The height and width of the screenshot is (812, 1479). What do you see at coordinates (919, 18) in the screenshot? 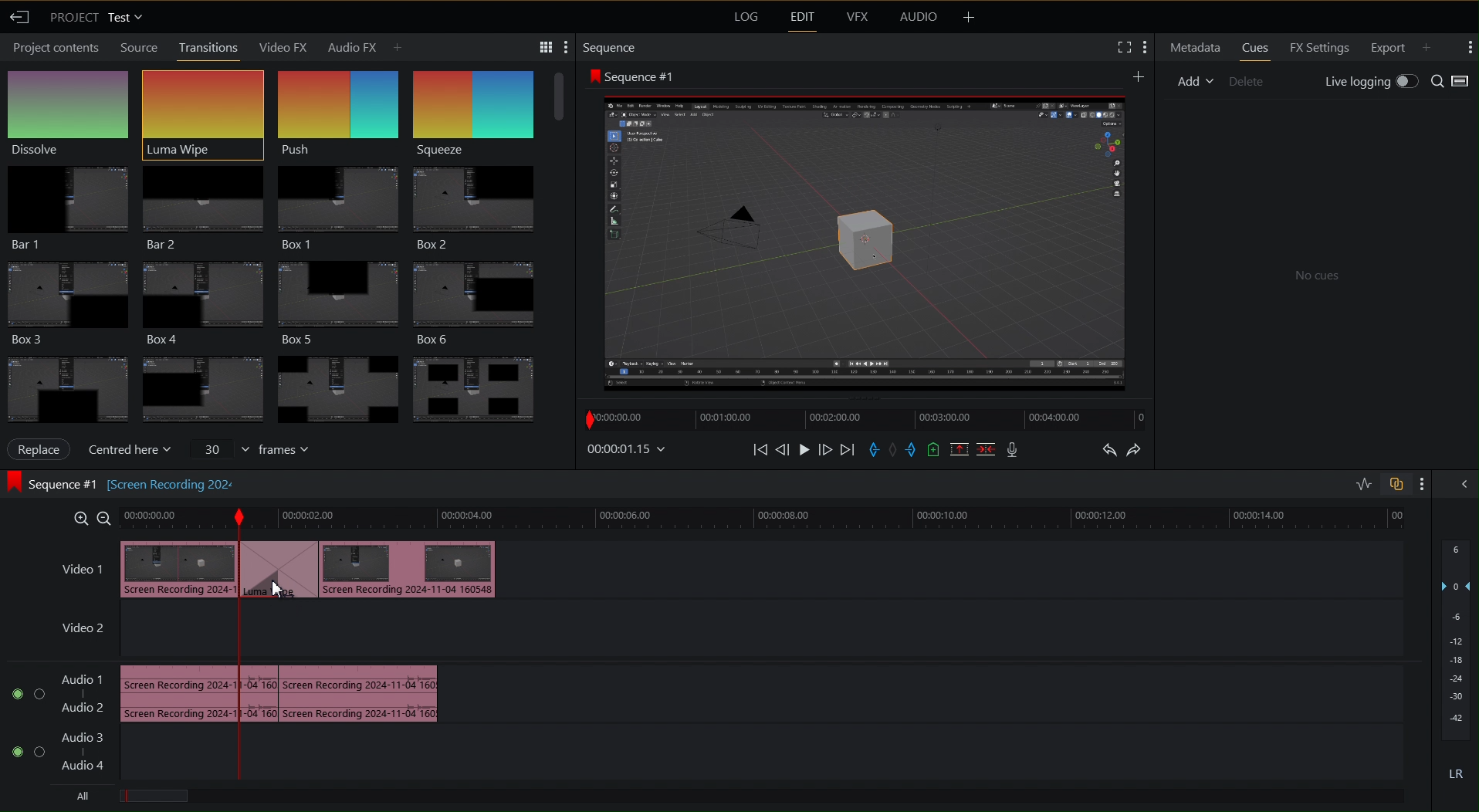
I see `Audio` at bounding box center [919, 18].